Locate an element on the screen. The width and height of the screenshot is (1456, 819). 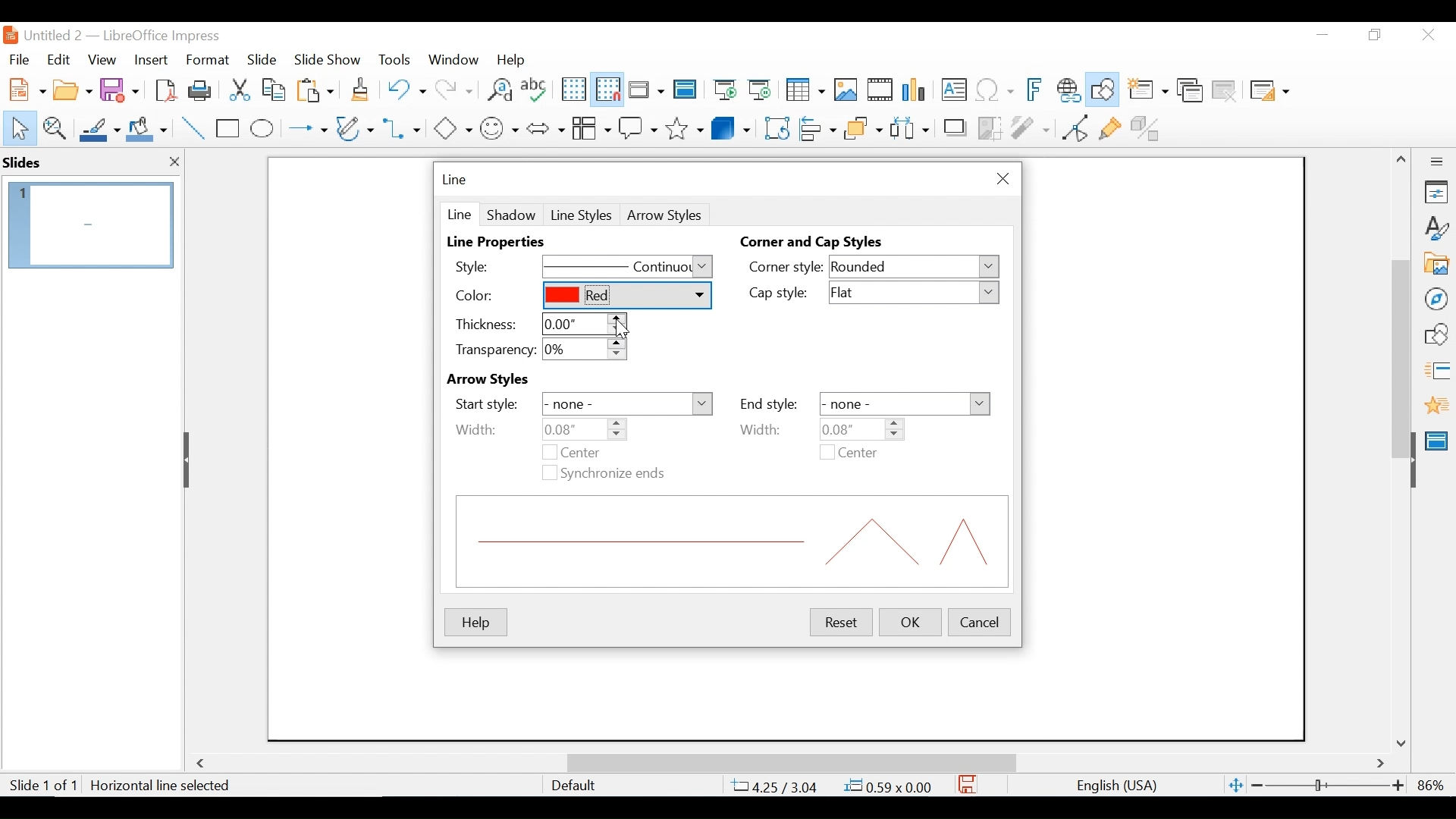
Snap as Grid is located at coordinates (607, 89).